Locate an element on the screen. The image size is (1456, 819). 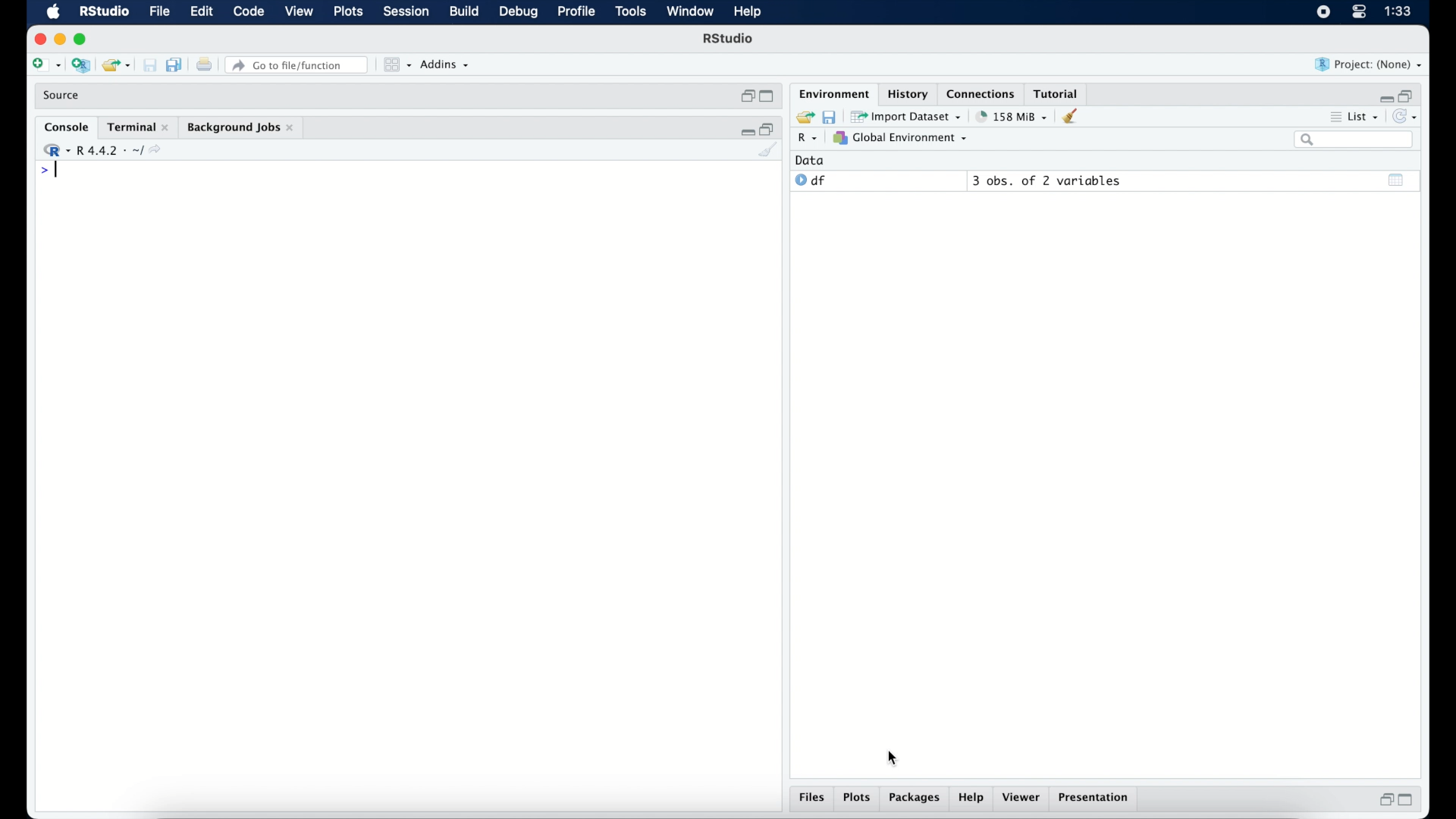
restore down is located at coordinates (745, 96).